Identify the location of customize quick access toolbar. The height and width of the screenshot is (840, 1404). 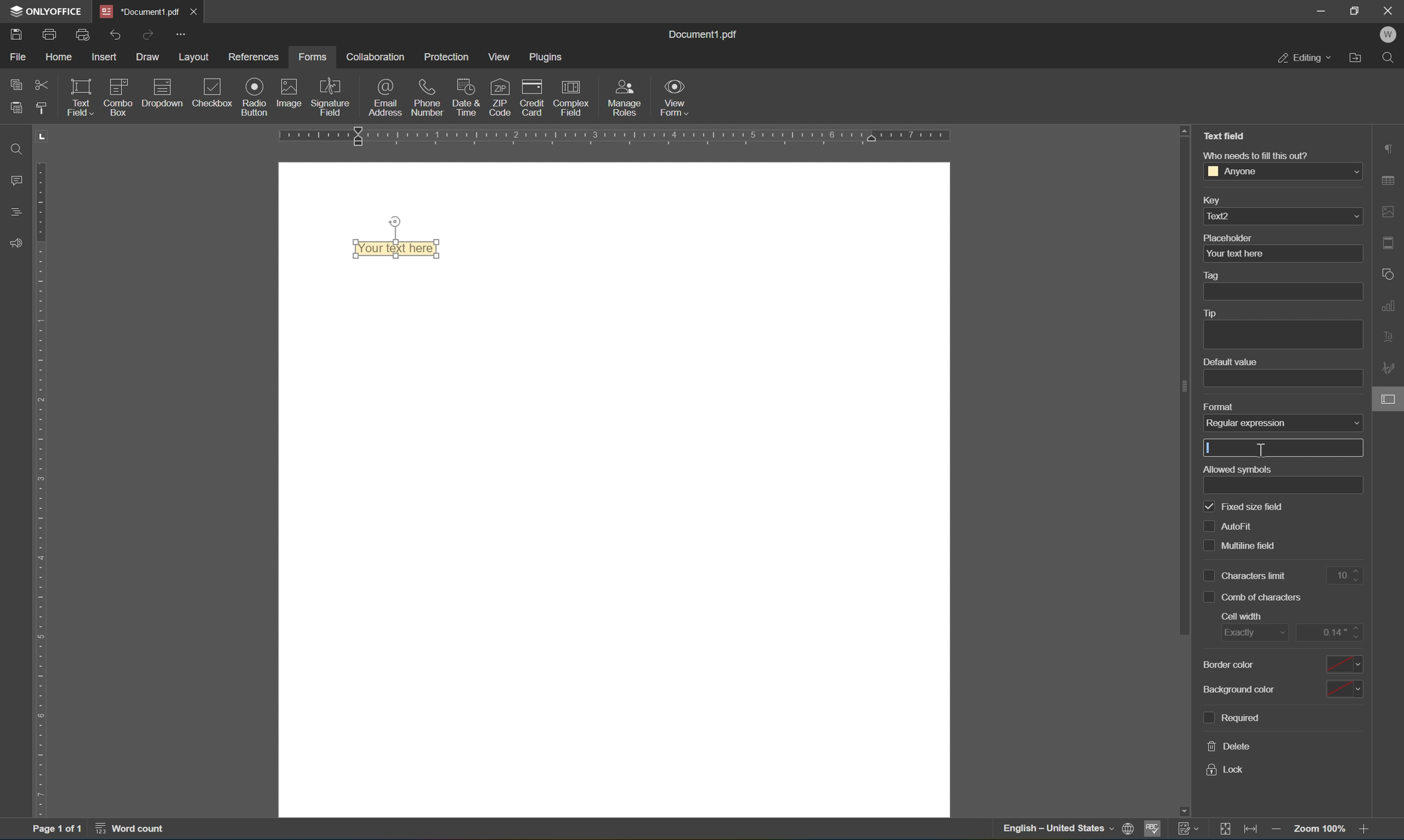
(182, 31).